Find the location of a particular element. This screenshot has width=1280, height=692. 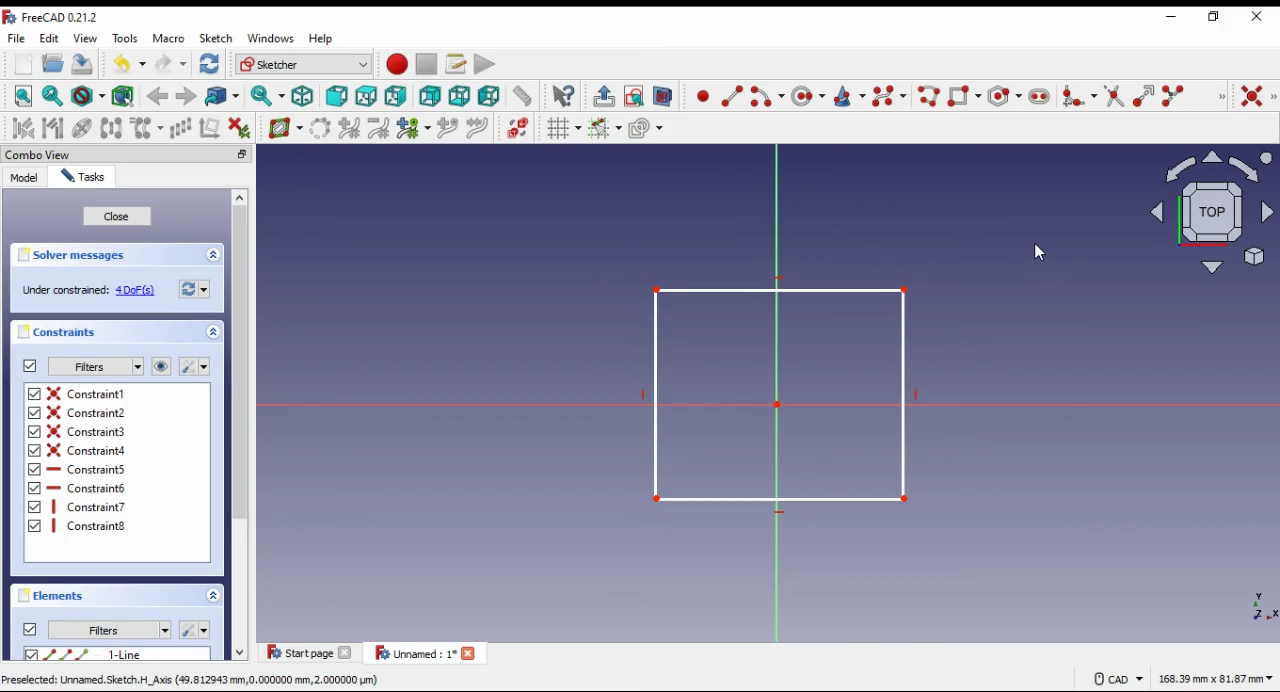

select associated geometry is located at coordinates (125, 95).